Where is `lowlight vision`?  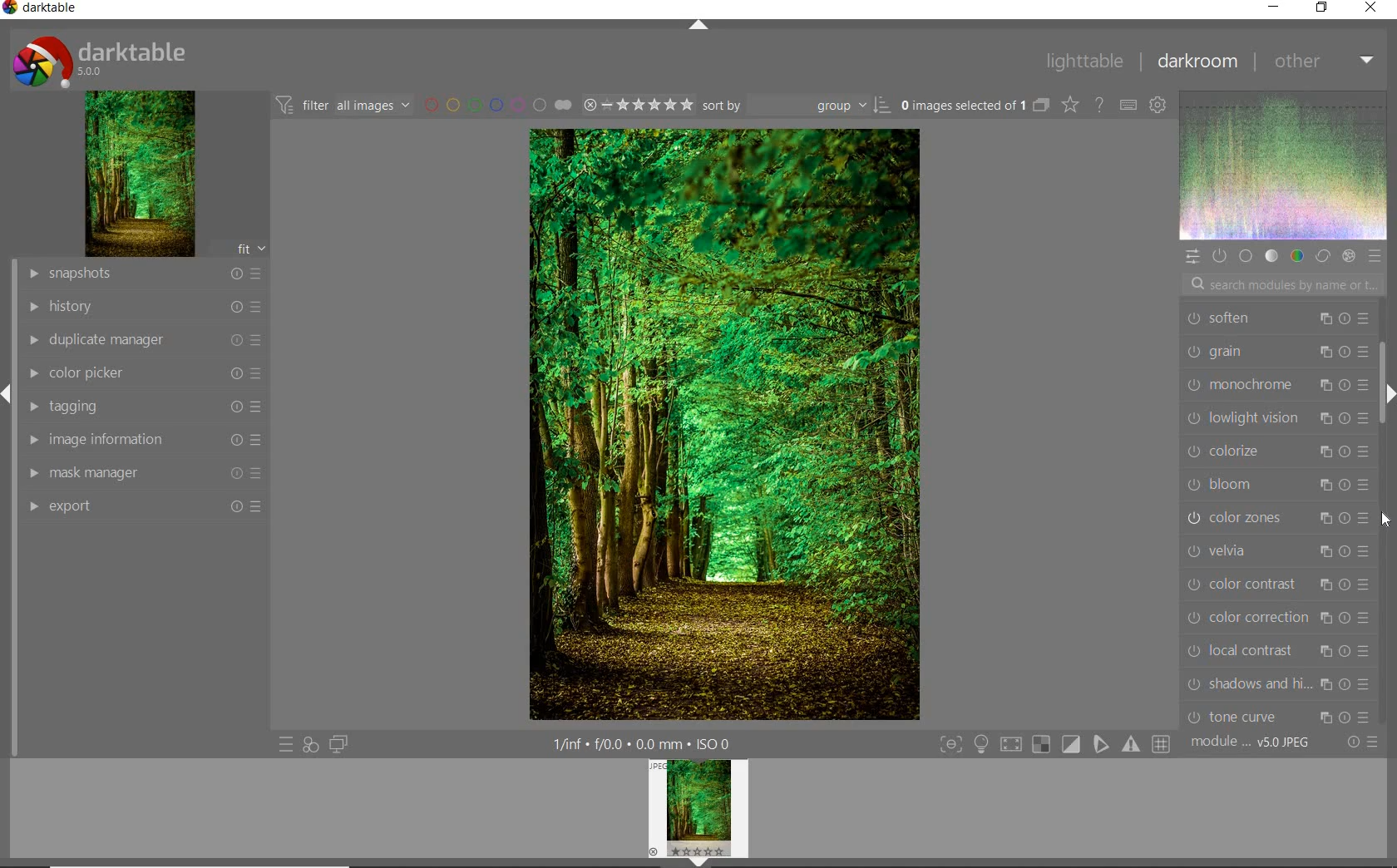
lowlight vision is located at coordinates (1278, 417).